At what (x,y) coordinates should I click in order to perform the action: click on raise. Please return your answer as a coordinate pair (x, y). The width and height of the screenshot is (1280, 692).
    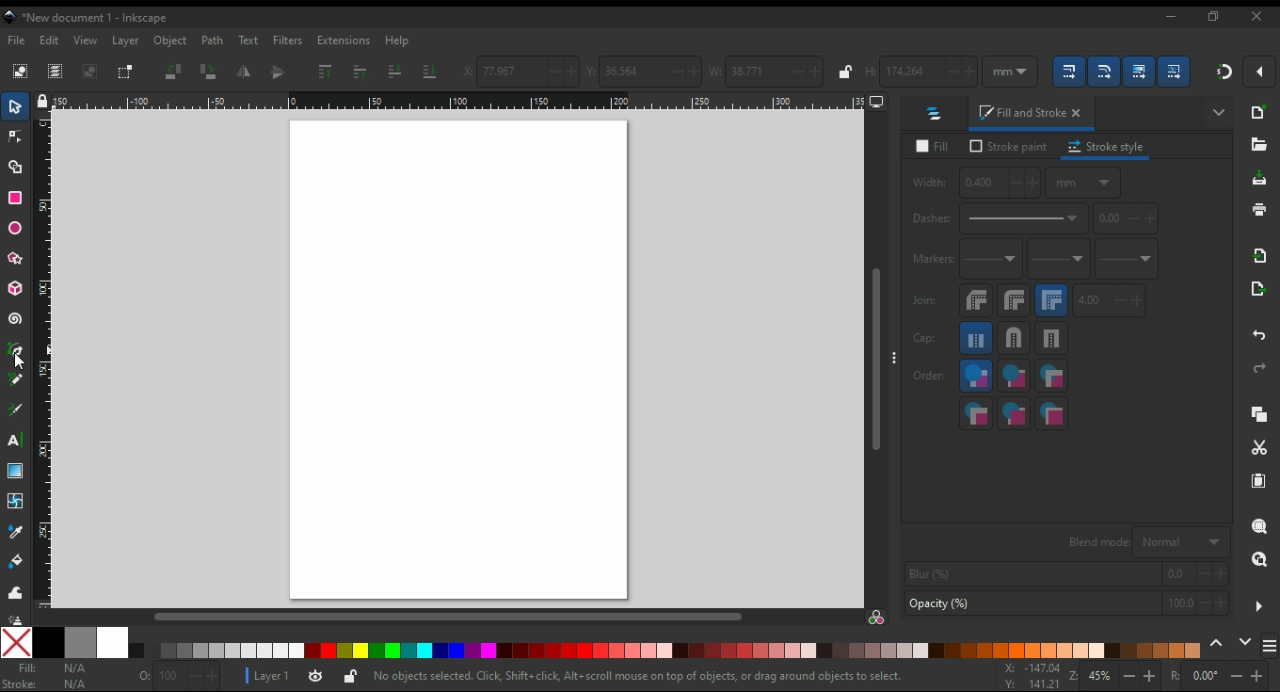
    Looking at the image, I should click on (360, 71).